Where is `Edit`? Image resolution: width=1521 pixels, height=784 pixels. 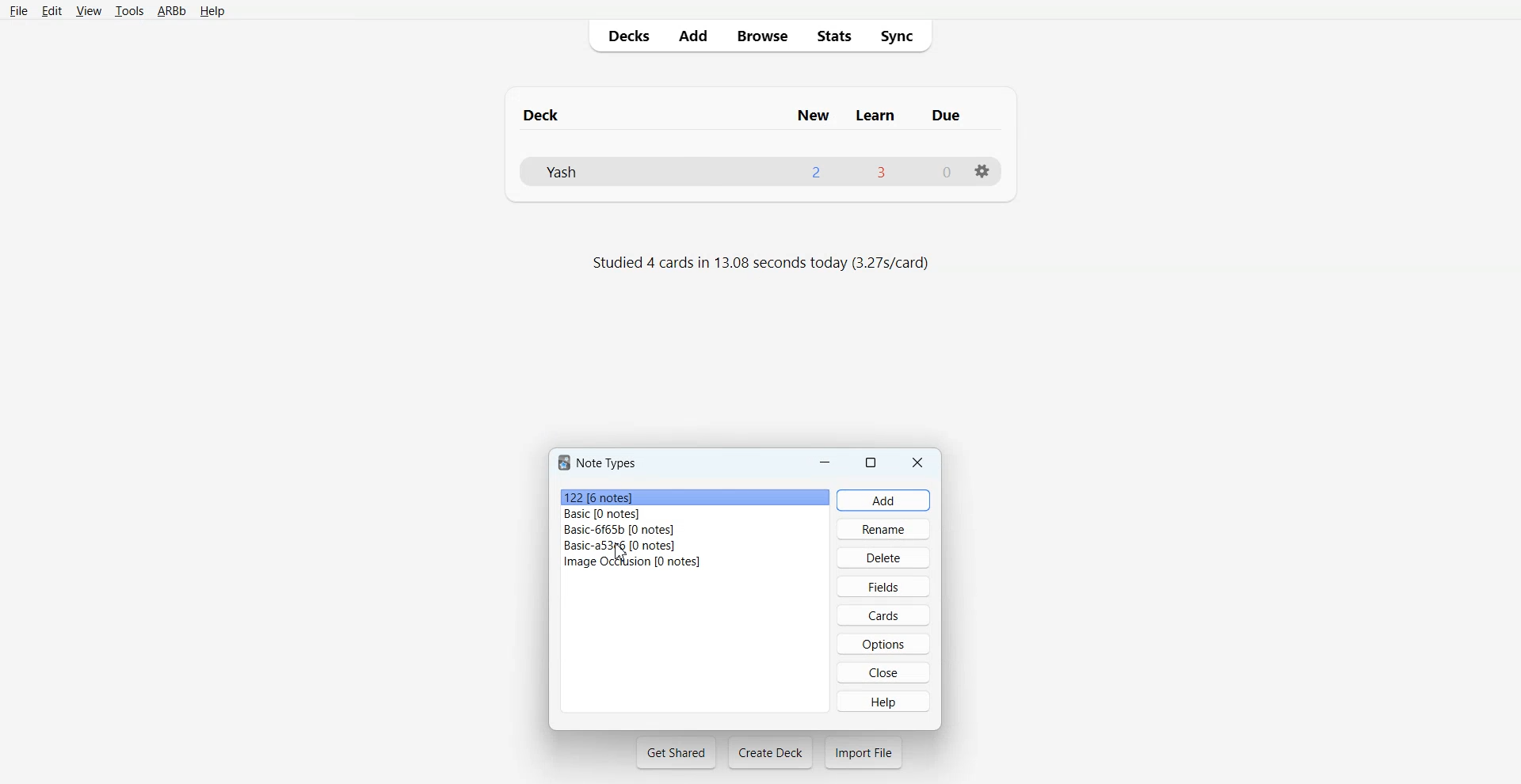
Edit is located at coordinates (52, 11).